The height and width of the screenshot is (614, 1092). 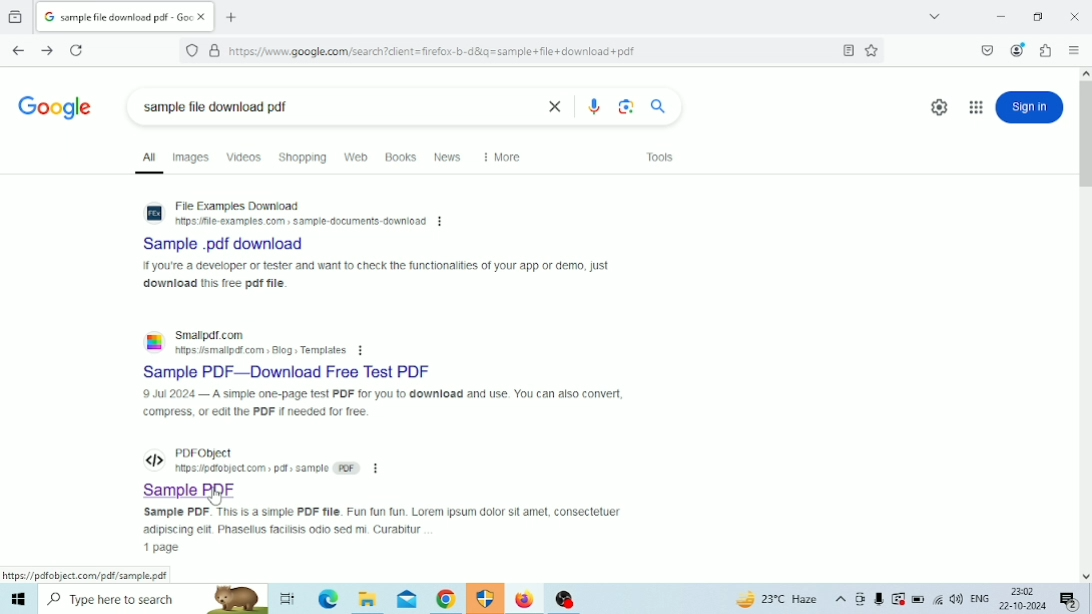 What do you see at coordinates (1047, 51) in the screenshot?
I see `Extensions` at bounding box center [1047, 51].